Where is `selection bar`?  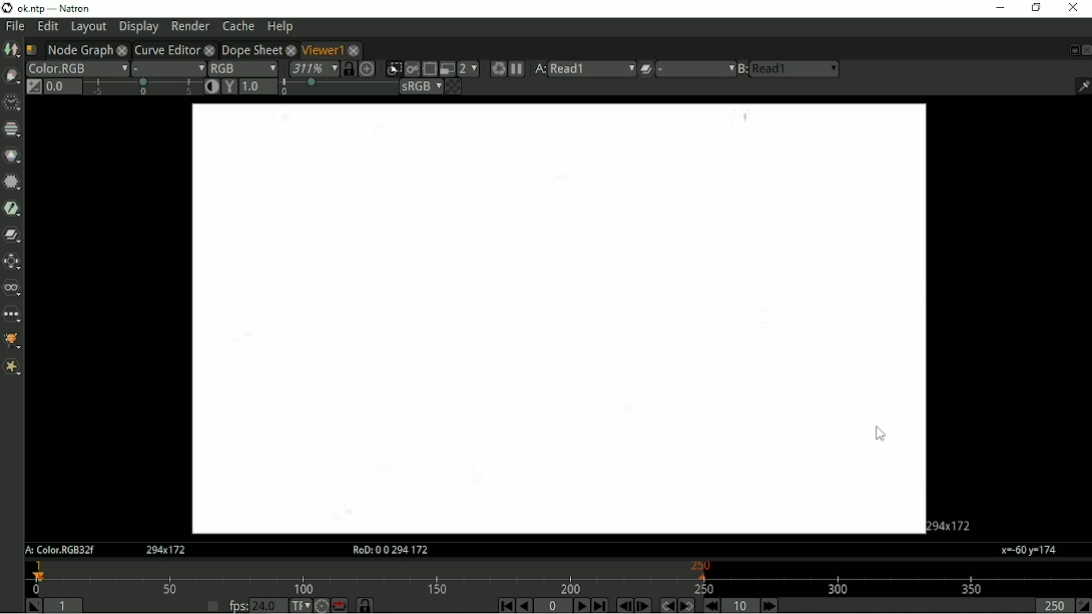 selection bar is located at coordinates (339, 87).